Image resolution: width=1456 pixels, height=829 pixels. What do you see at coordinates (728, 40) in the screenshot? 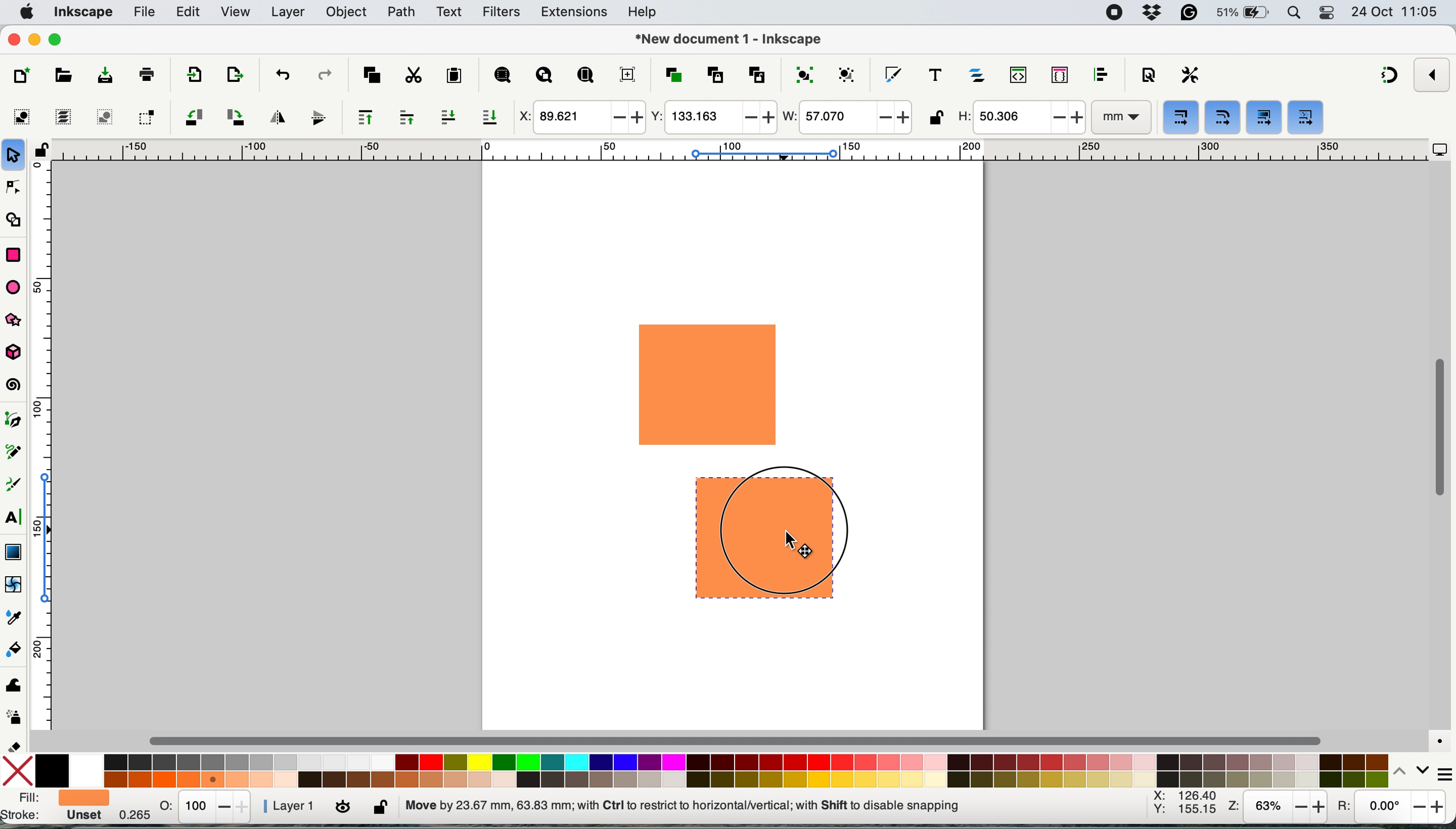
I see `document name` at bounding box center [728, 40].